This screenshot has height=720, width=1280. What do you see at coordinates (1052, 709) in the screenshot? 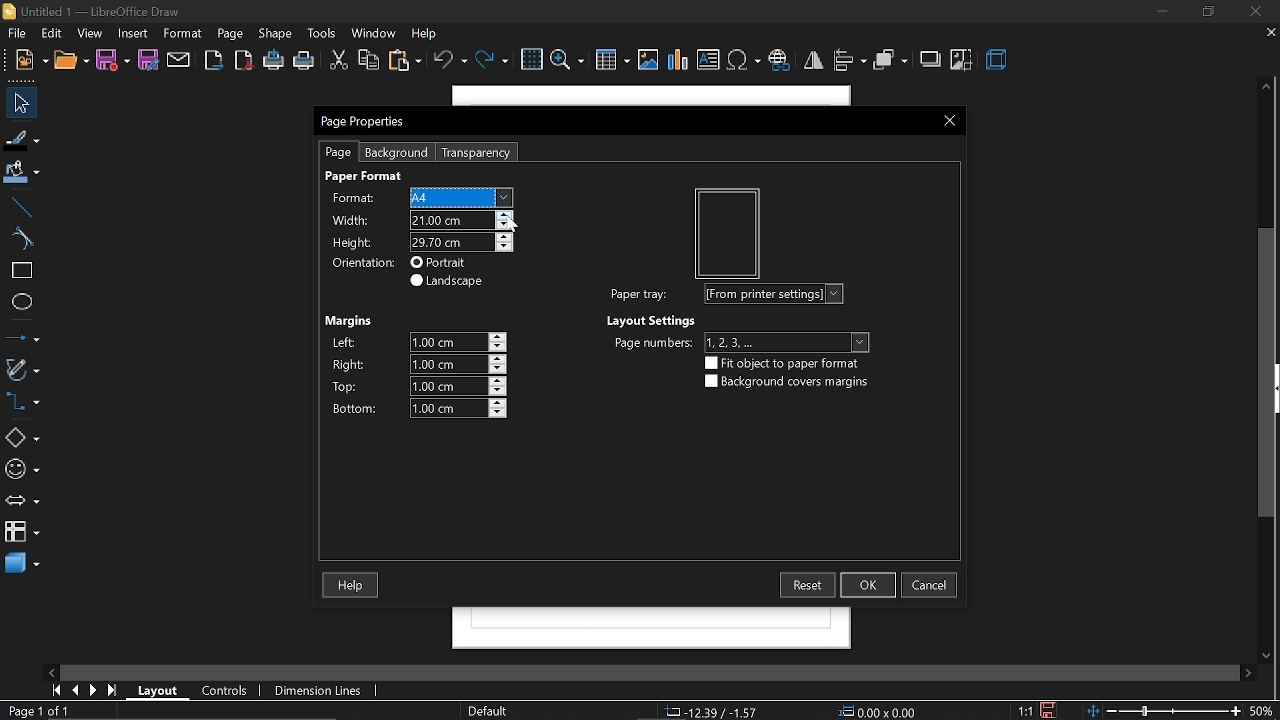
I see `save` at bounding box center [1052, 709].